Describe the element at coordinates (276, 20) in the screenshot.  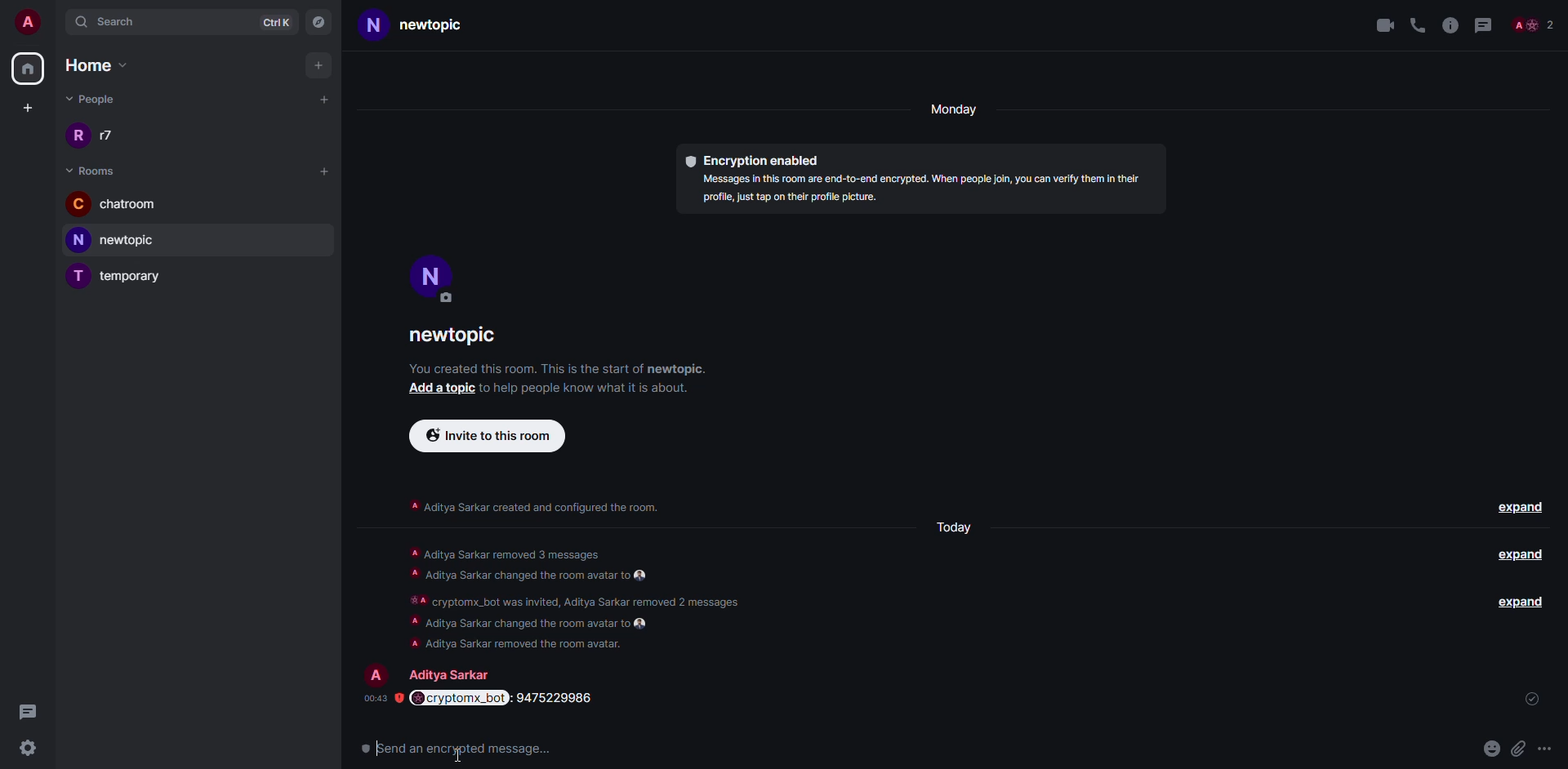
I see `ctrlK` at that location.